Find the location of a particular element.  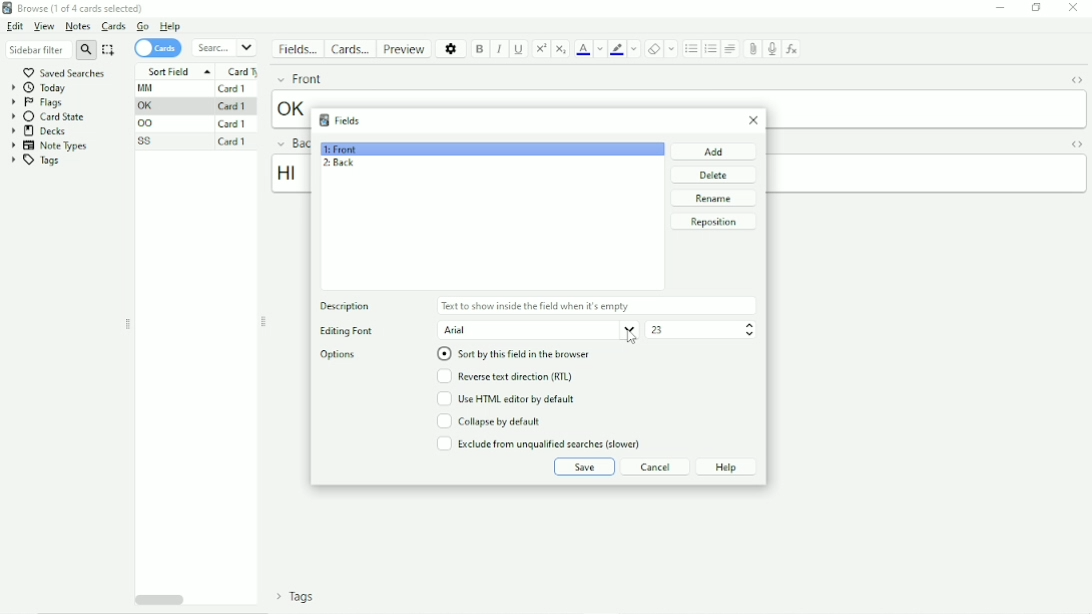

Card 1 is located at coordinates (234, 142).